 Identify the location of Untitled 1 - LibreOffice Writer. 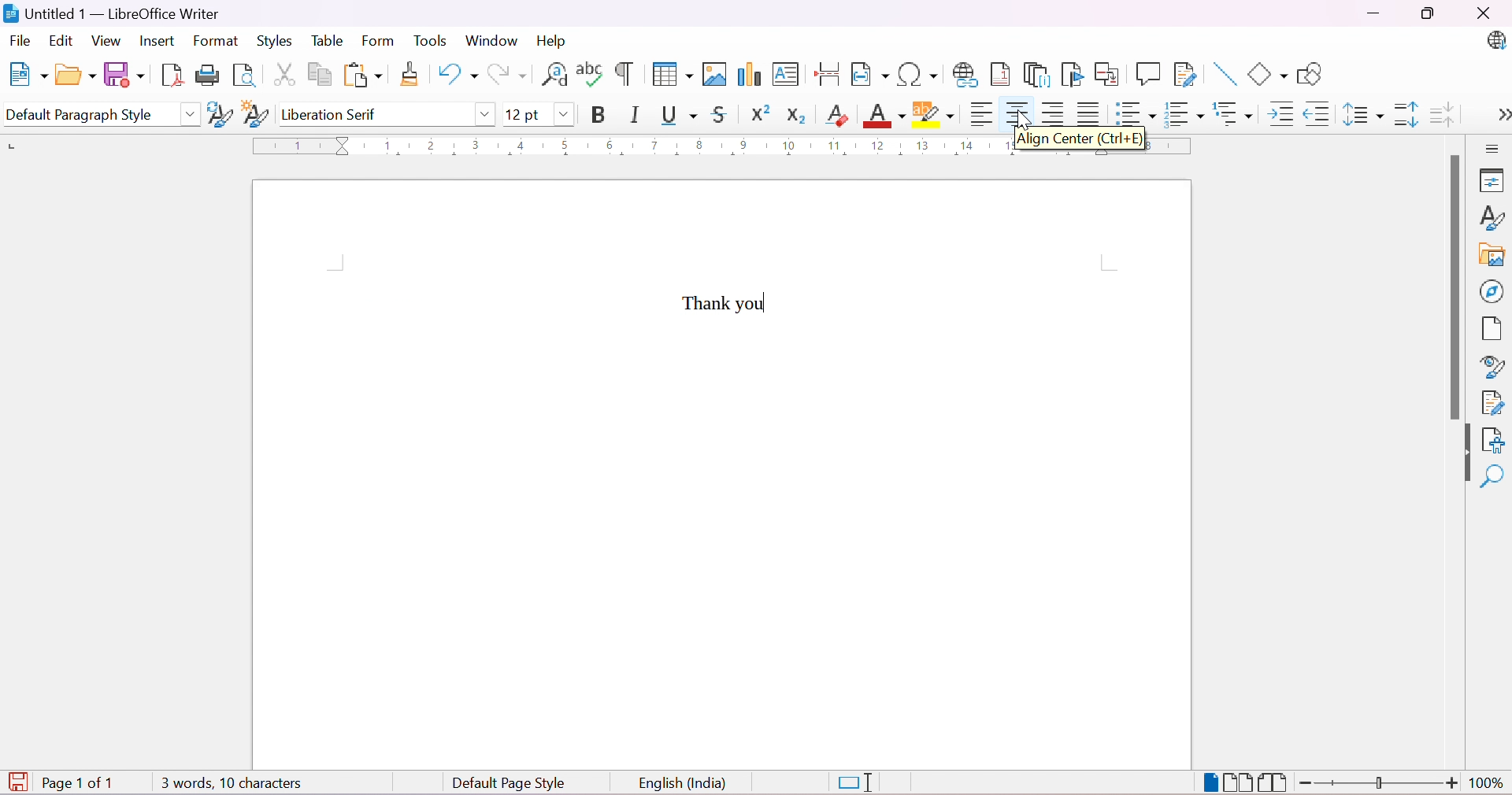
(110, 13).